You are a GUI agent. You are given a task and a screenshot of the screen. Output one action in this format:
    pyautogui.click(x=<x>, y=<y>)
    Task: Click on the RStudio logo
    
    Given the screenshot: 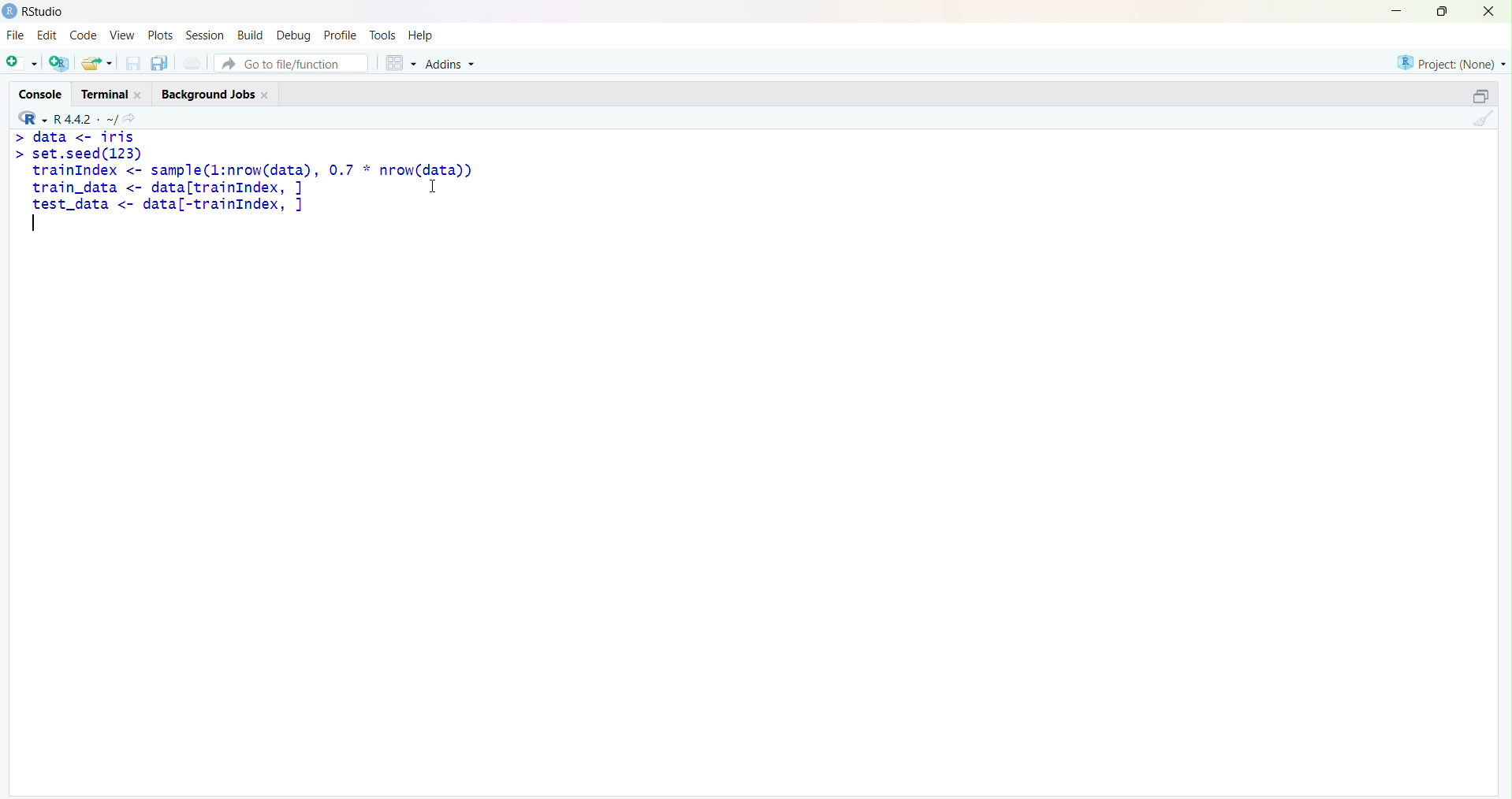 What is the action you would take?
    pyautogui.click(x=29, y=117)
    